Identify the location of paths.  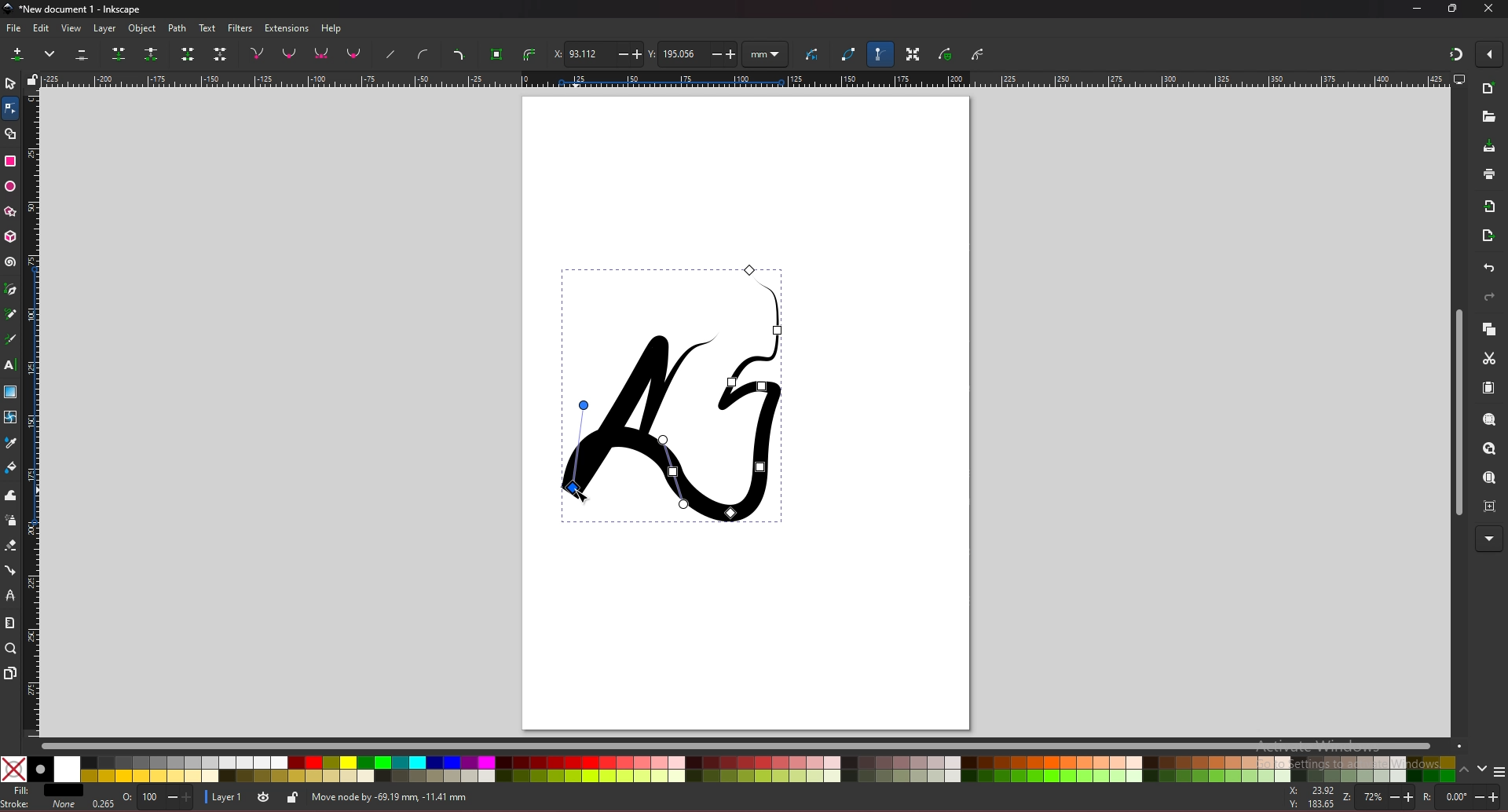
(675, 392).